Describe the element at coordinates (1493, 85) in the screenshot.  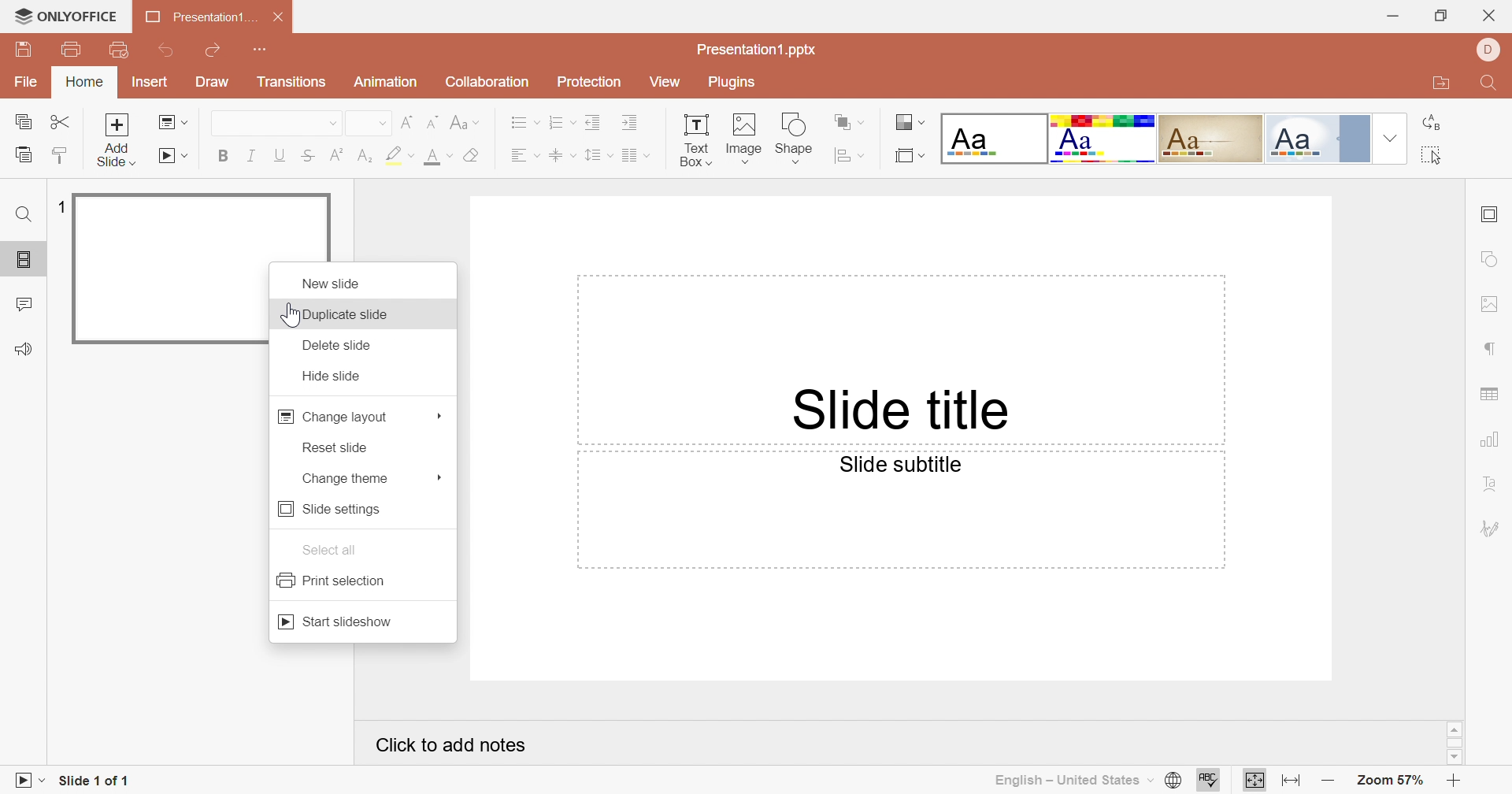
I see `Find` at that location.